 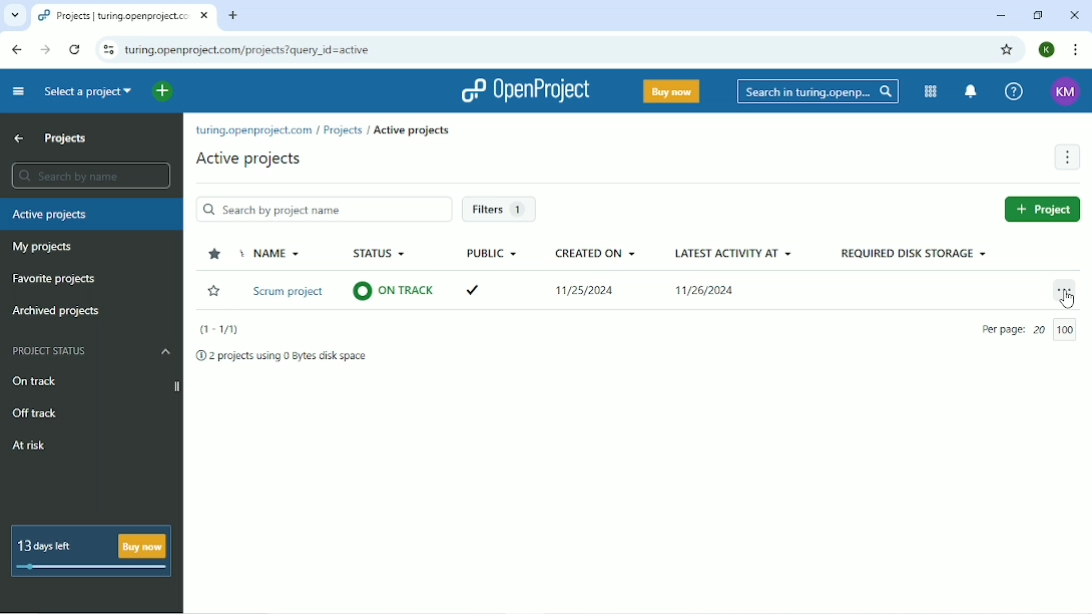 What do you see at coordinates (1032, 331) in the screenshot?
I see `Per page: 20/100` at bounding box center [1032, 331].